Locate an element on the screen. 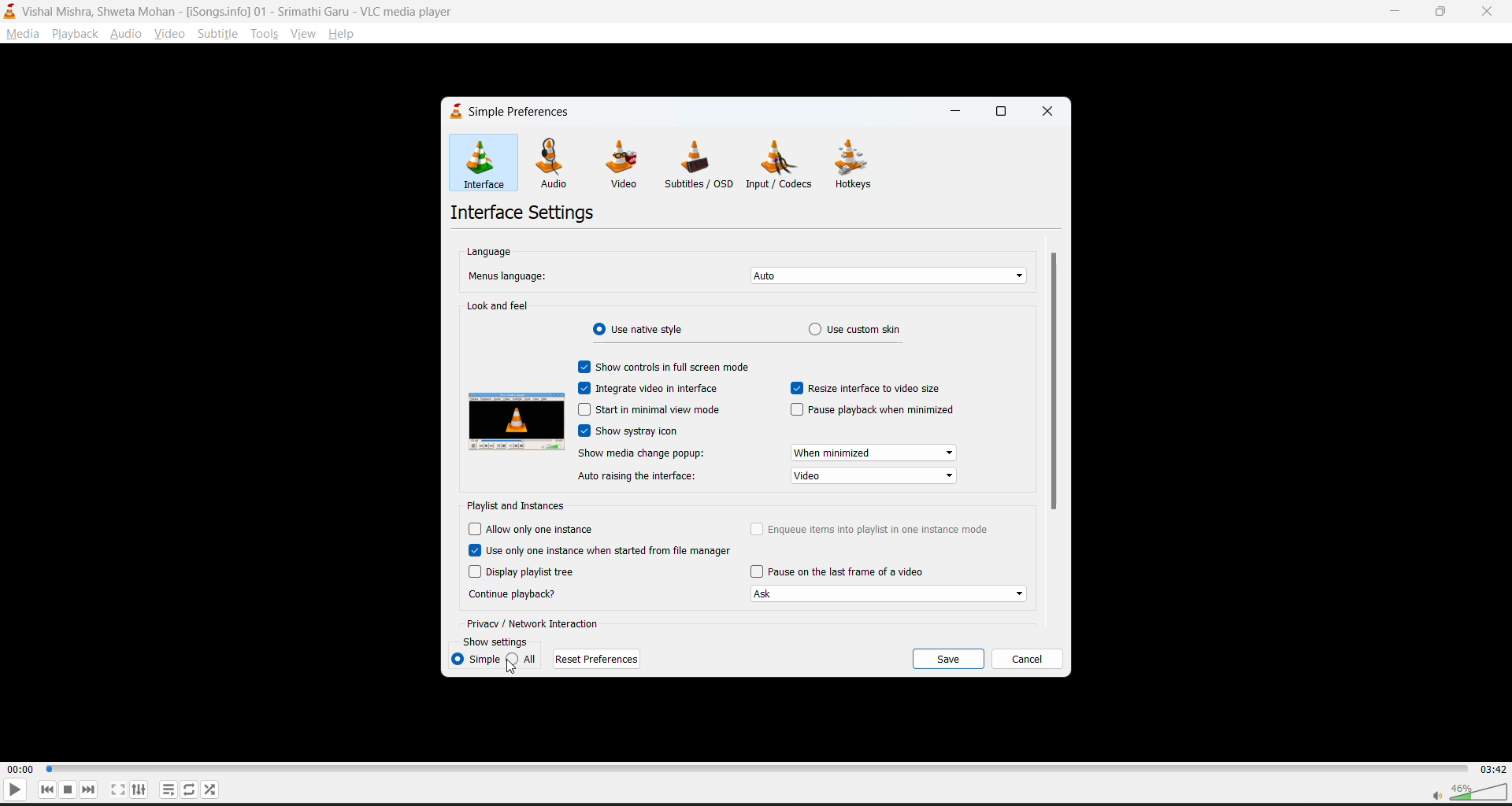  vertical scroll bar is located at coordinates (1052, 383).